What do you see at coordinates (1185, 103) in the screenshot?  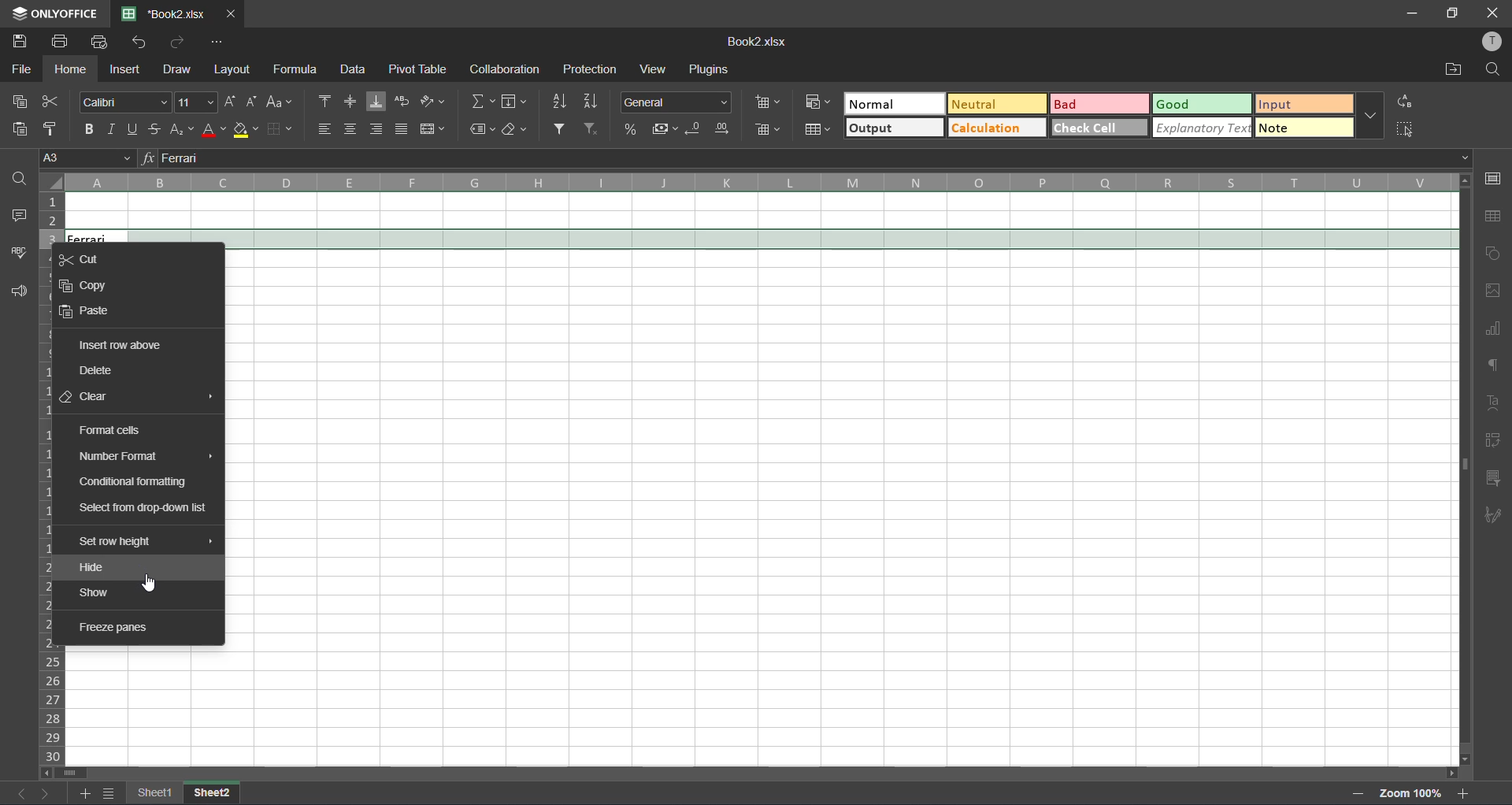 I see `good` at bounding box center [1185, 103].